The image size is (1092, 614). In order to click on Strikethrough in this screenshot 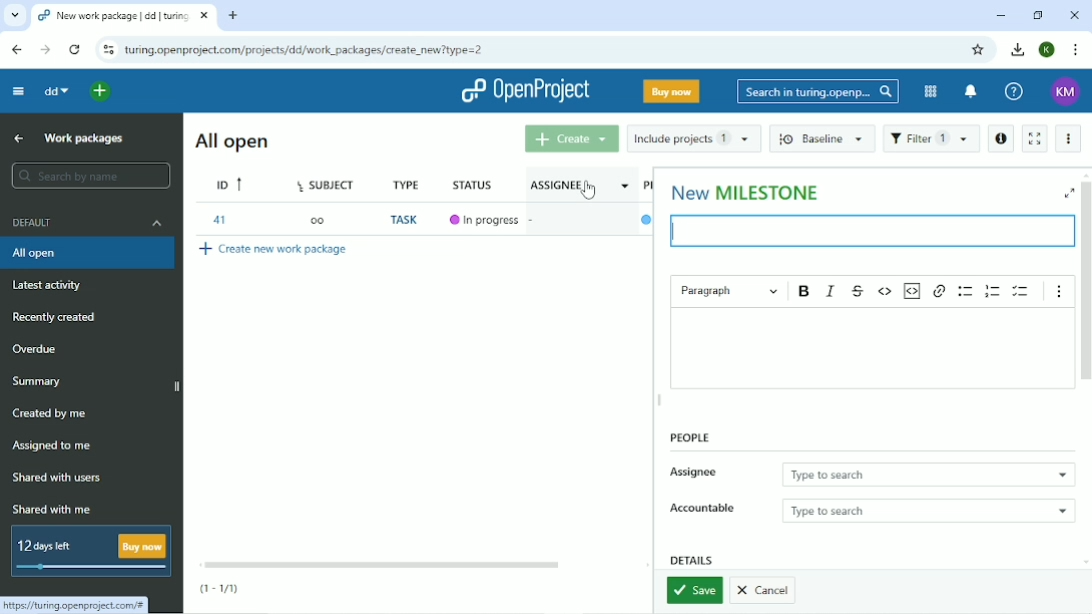, I will do `click(858, 290)`.